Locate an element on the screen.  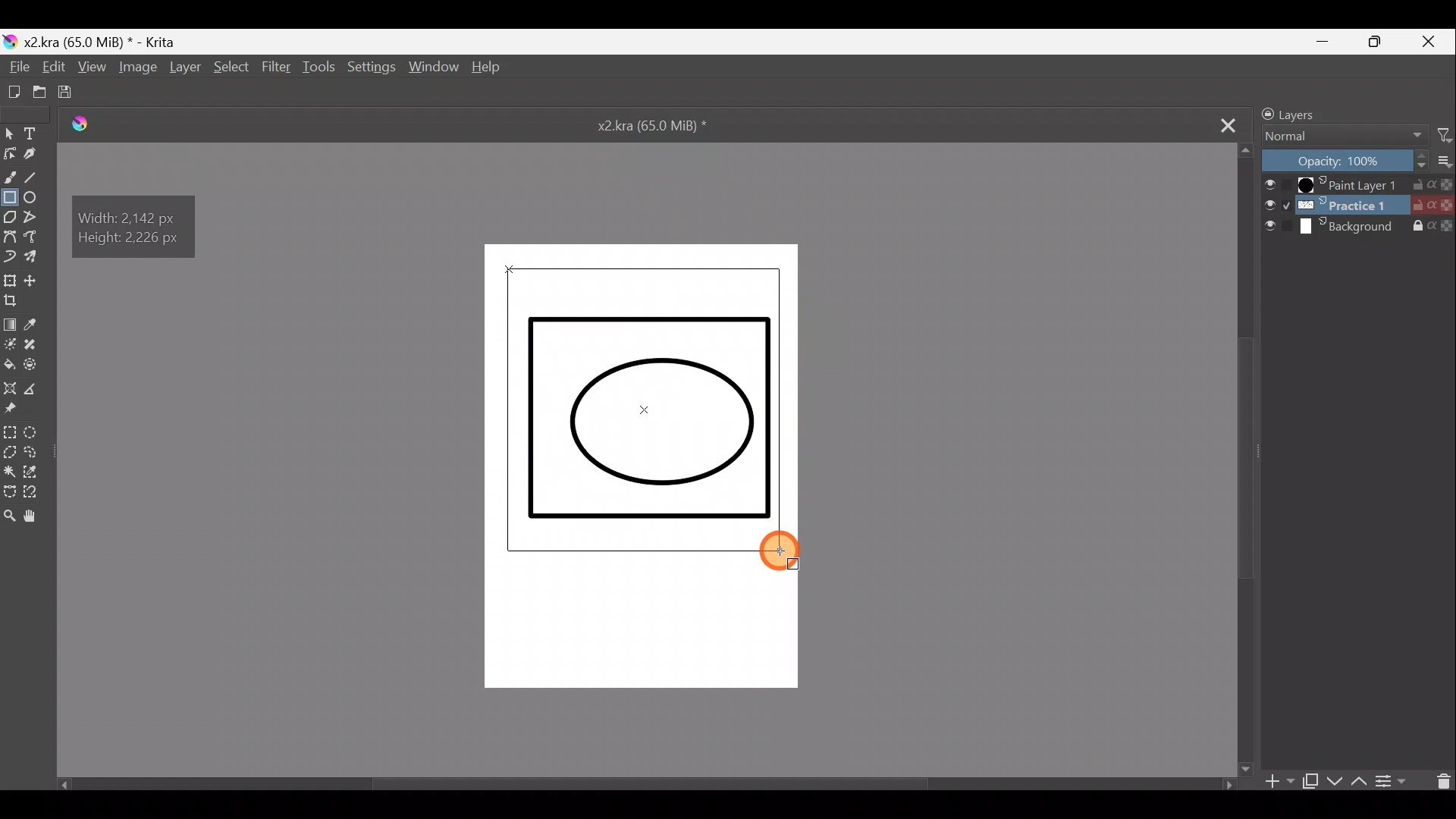
Opacity: 100% is located at coordinates (1346, 160).